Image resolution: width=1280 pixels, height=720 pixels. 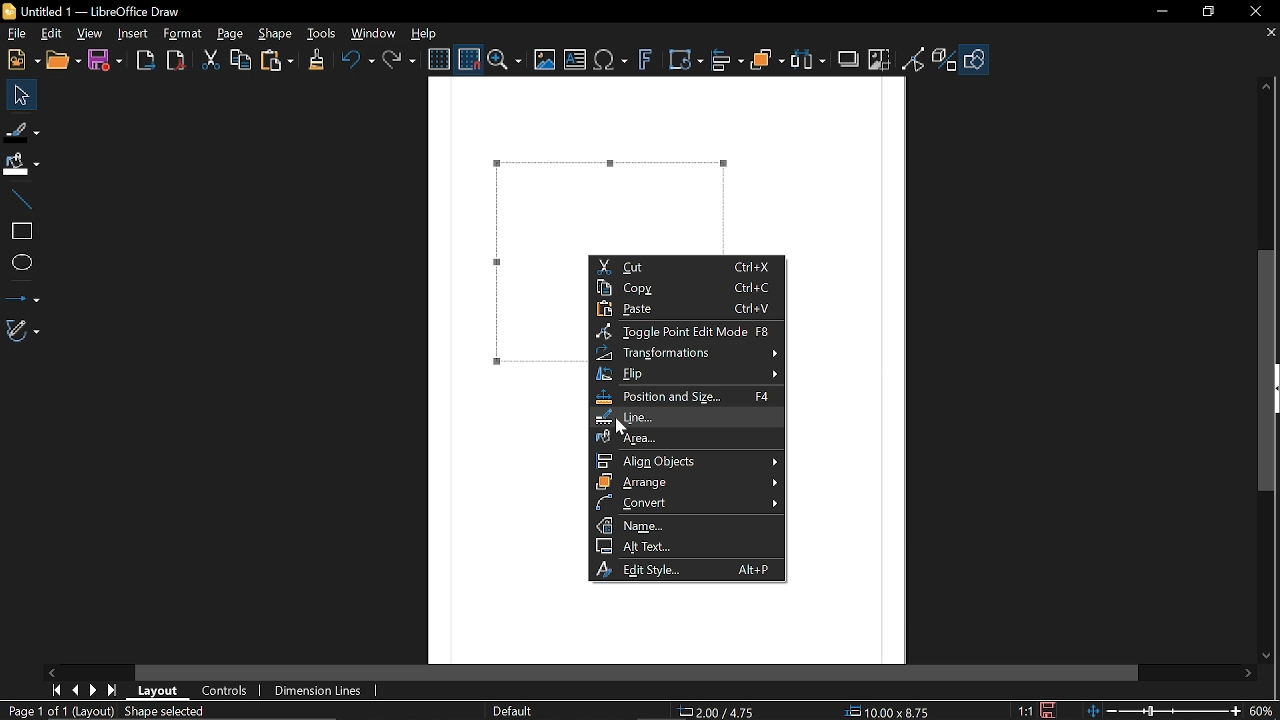 I want to click on Size, so click(x=894, y=712).